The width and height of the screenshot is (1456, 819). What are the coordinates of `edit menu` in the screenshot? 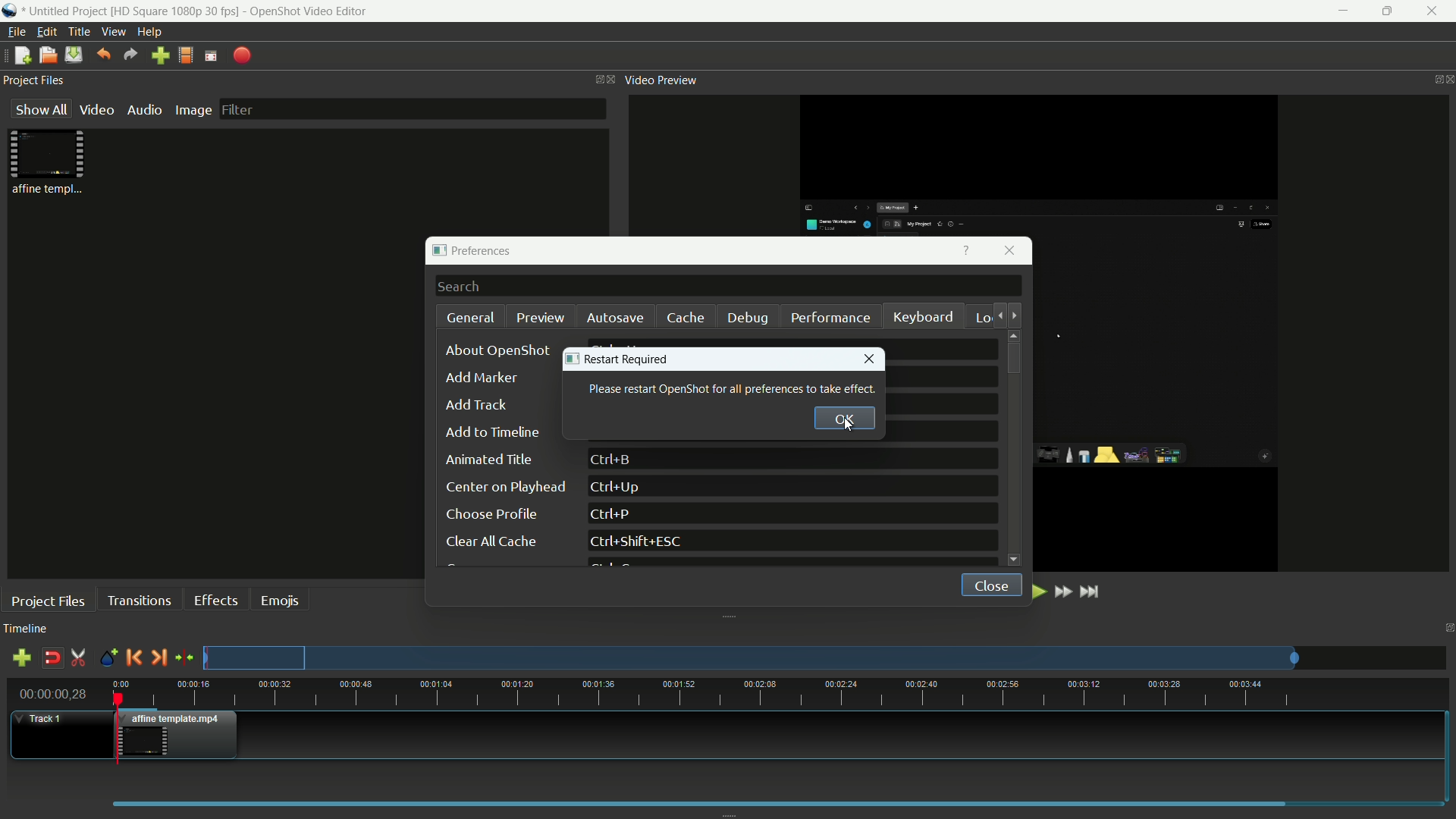 It's located at (47, 32).